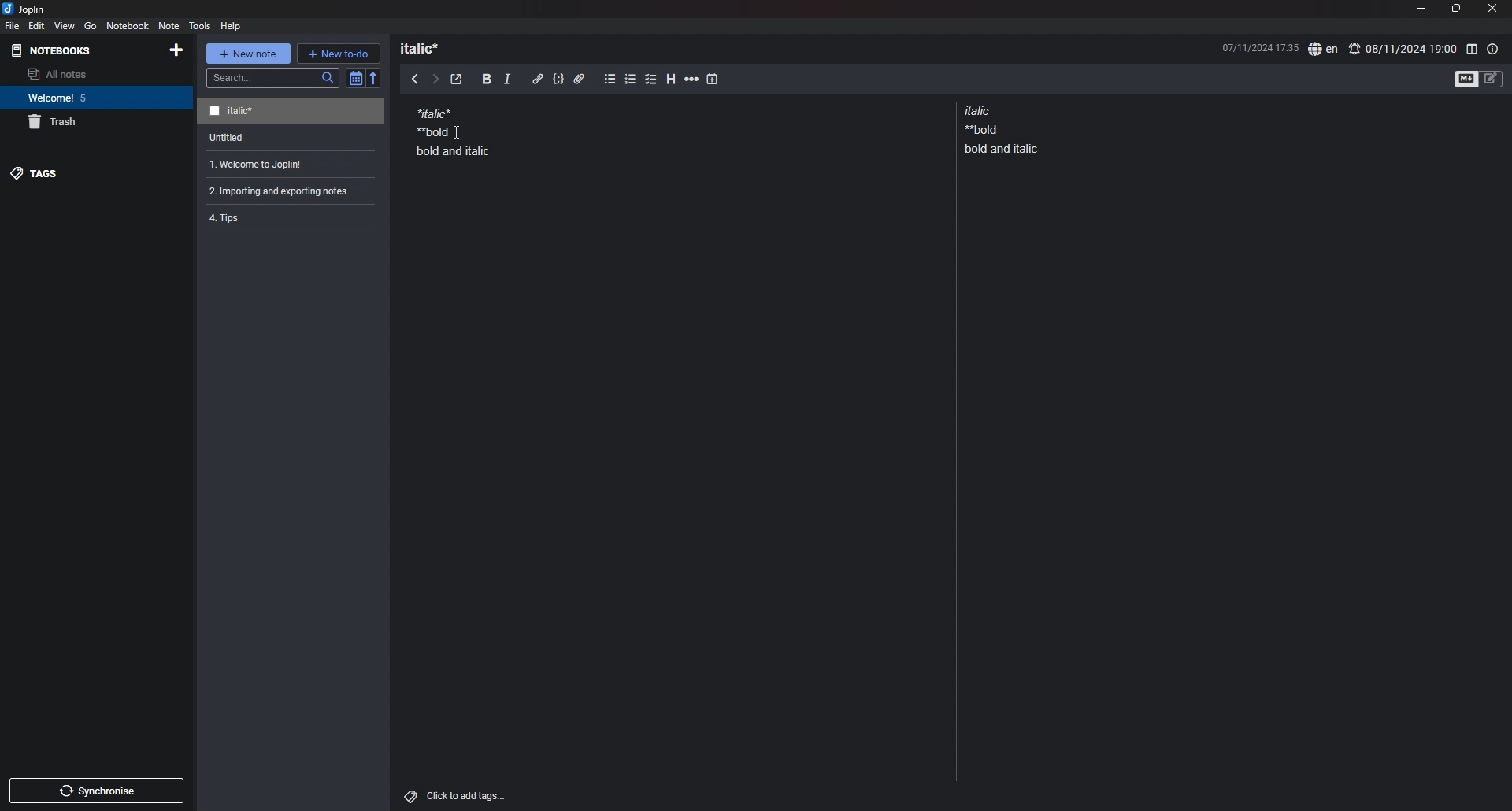  I want to click on note properties, so click(1493, 49).